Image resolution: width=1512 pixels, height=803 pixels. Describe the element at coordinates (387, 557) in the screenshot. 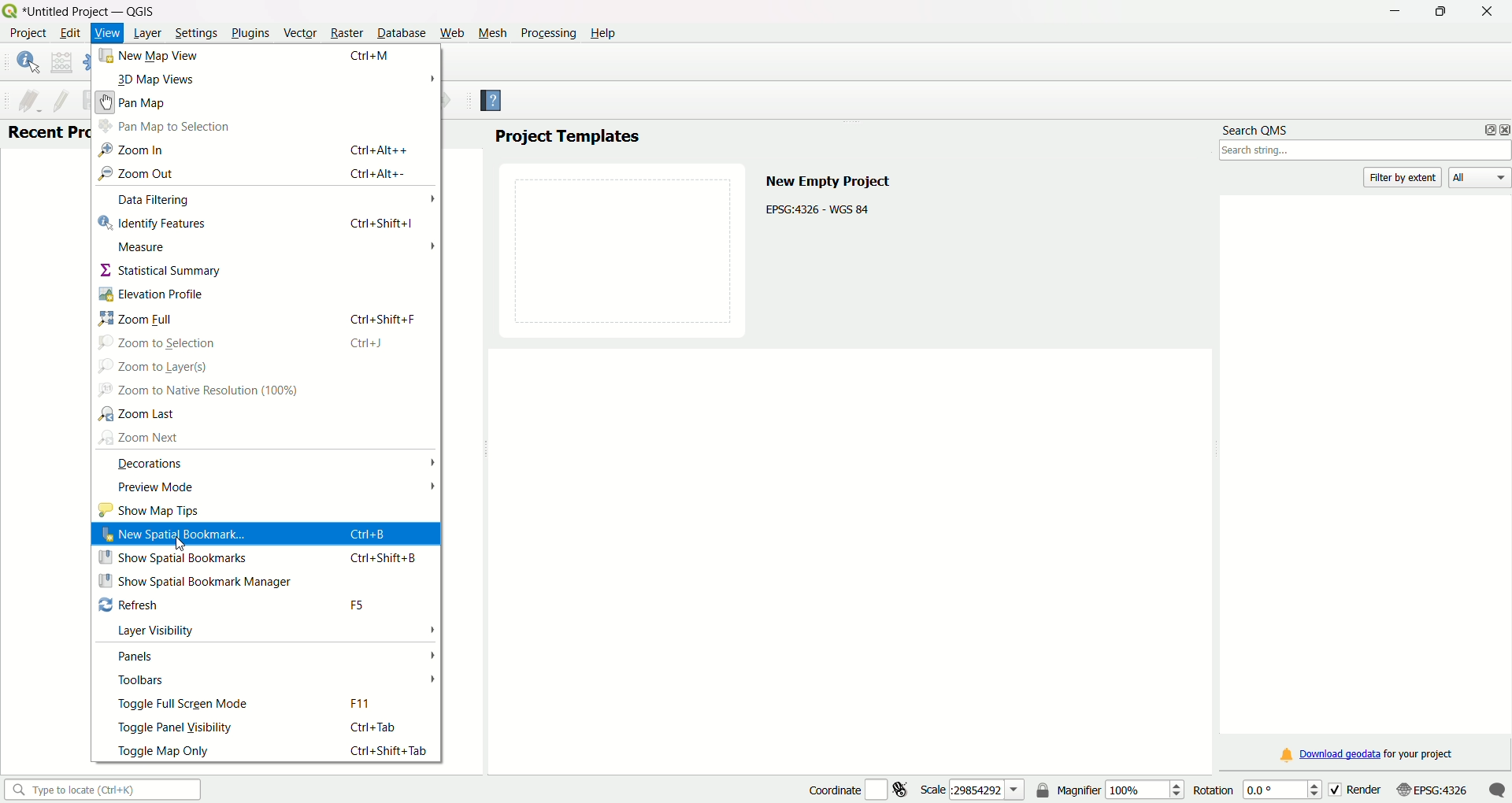

I see `ctrl+shift+B` at that location.